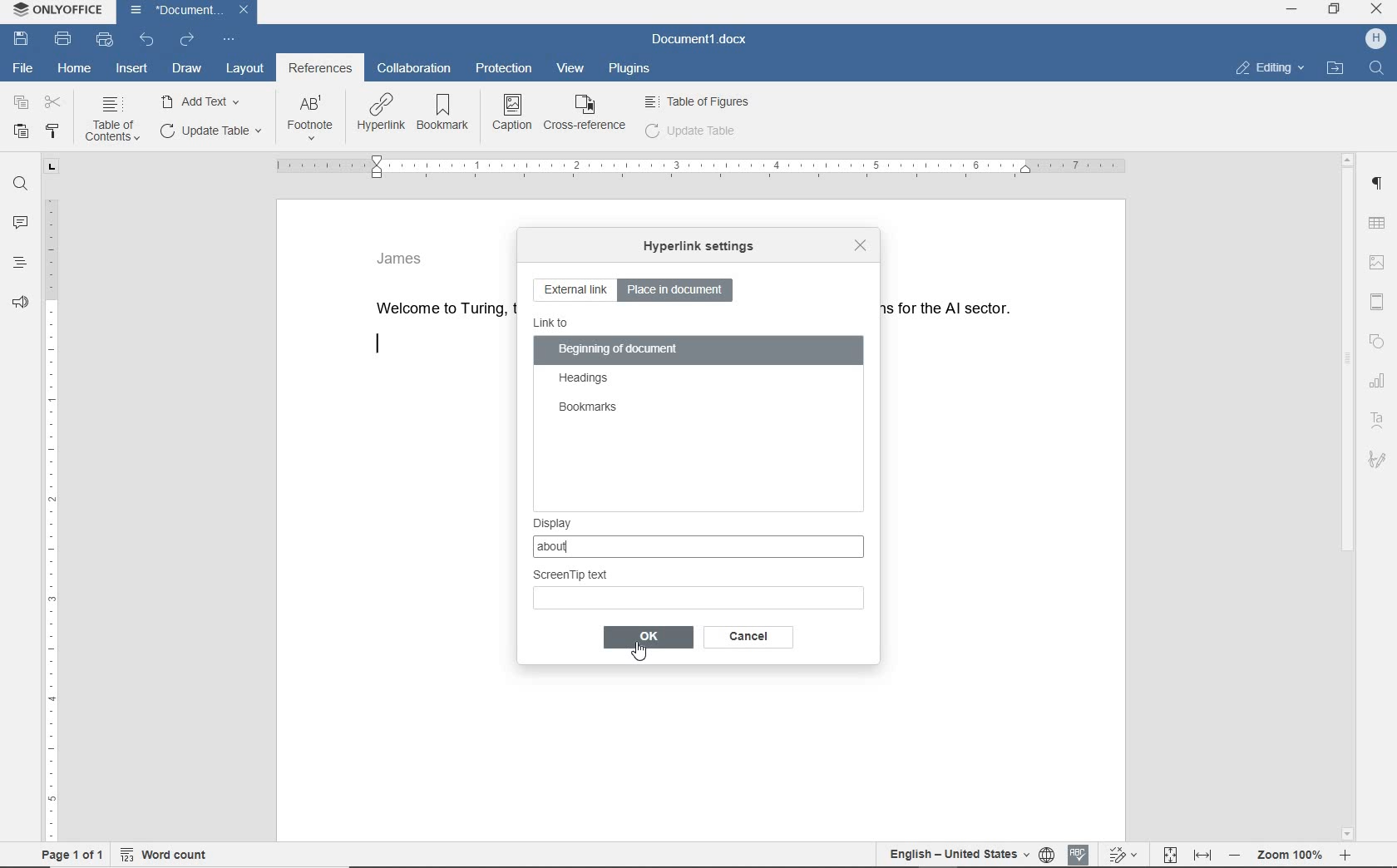 The image size is (1397, 868). I want to click on ADD TEXT, so click(204, 101).